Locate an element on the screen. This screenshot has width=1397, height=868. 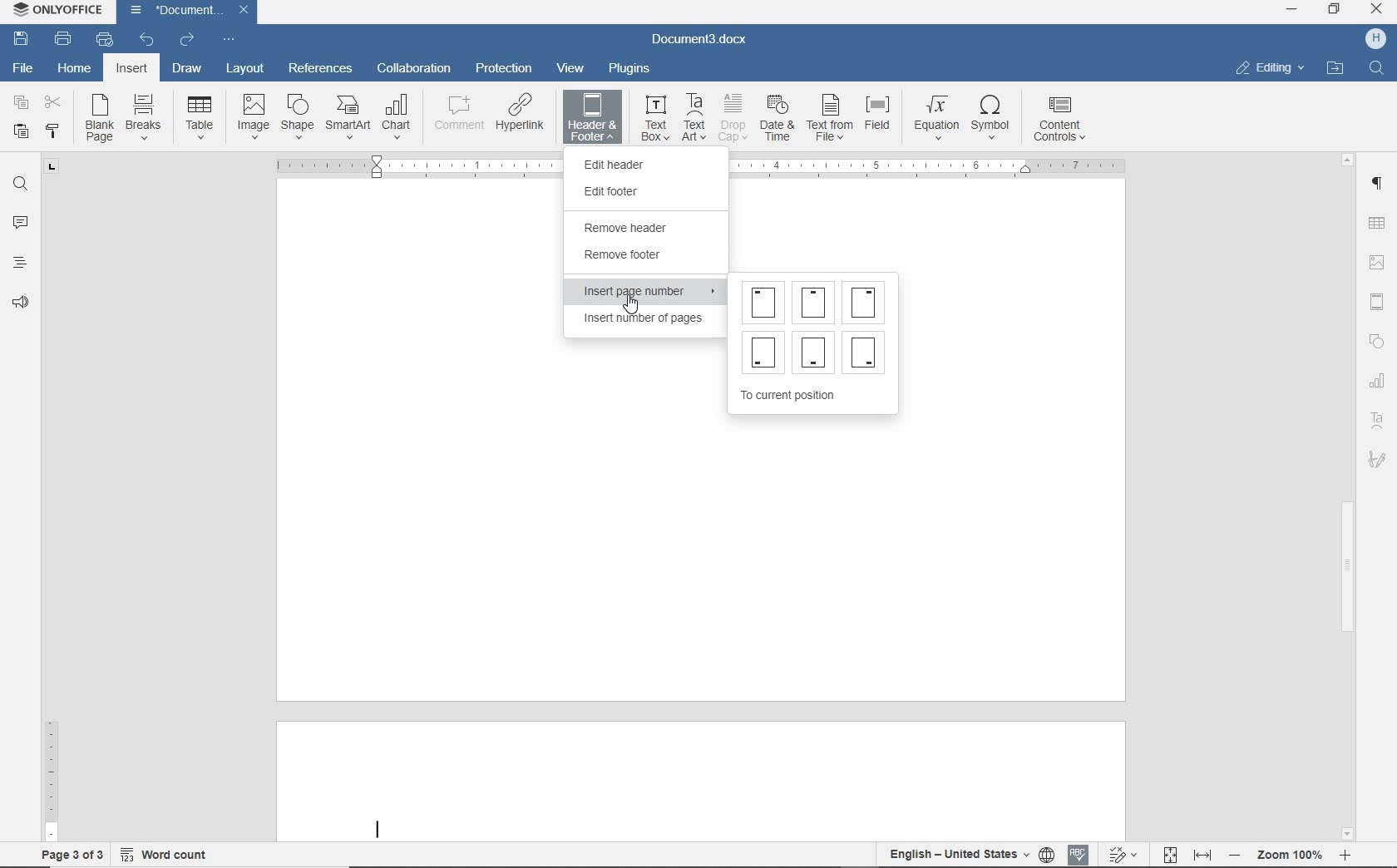
UNDO is located at coordinates (149, 38).